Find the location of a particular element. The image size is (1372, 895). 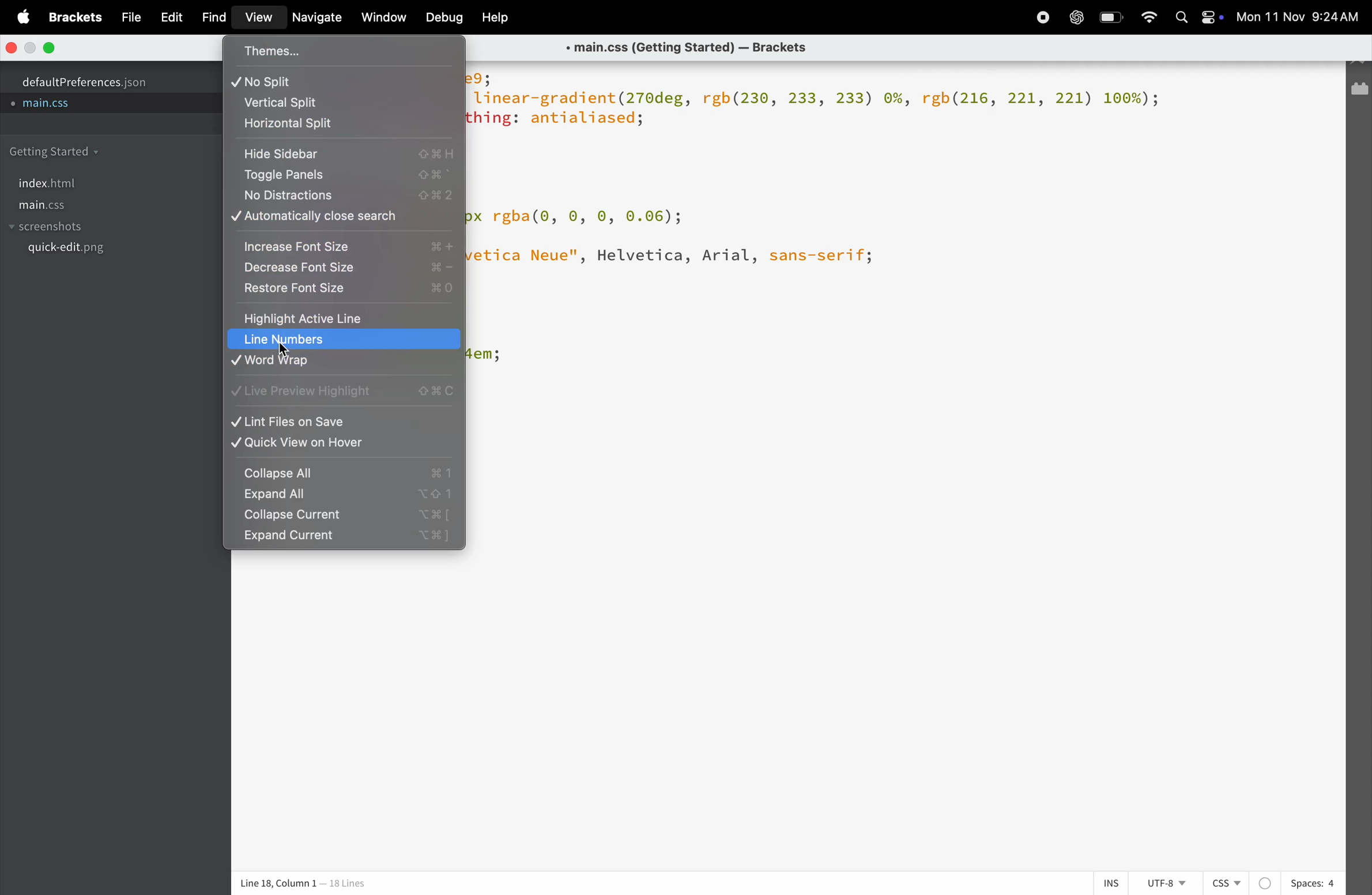

automatically check search is located at coordinates (344, 217).